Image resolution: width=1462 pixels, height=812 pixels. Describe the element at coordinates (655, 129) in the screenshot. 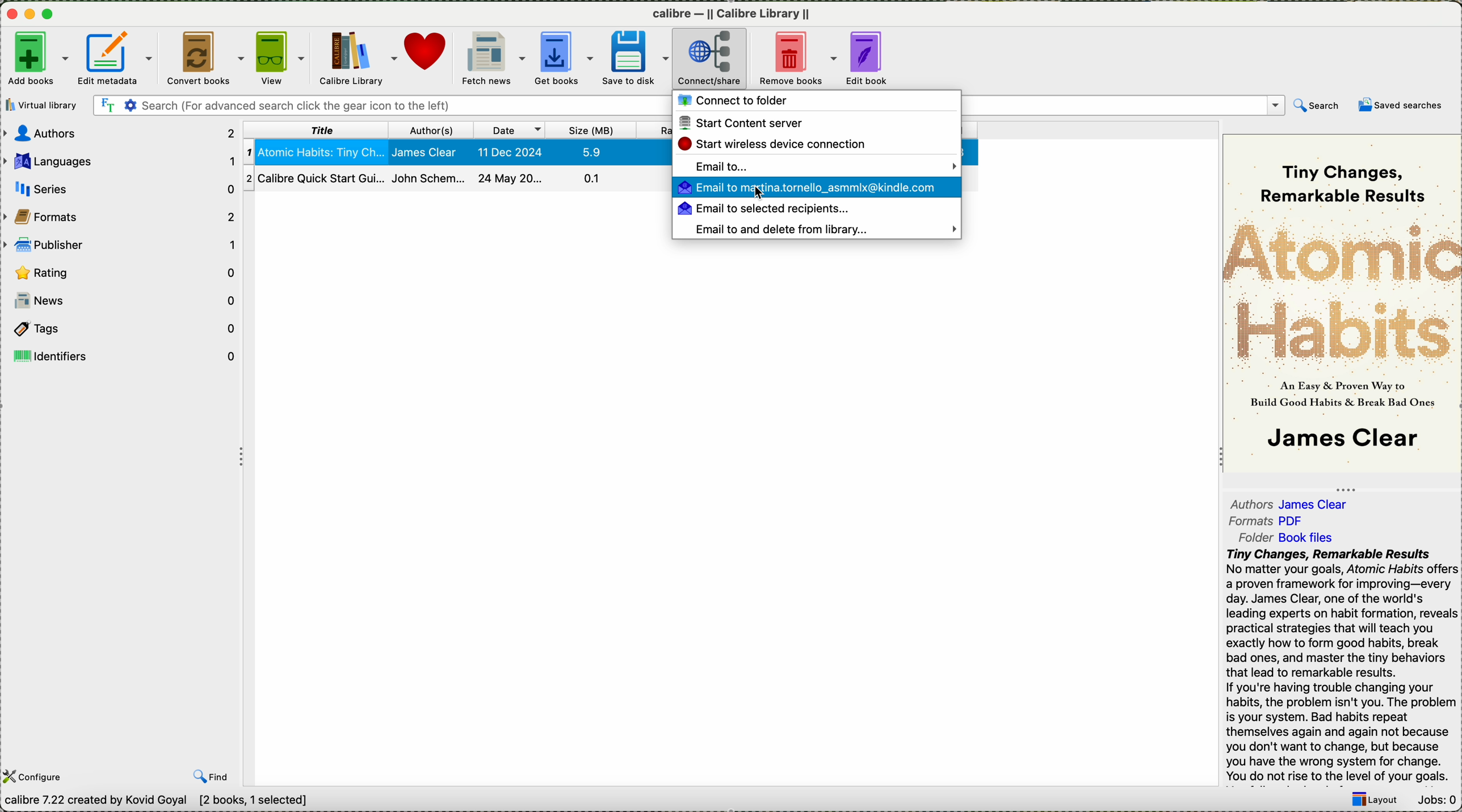

I see `rating` at that location.